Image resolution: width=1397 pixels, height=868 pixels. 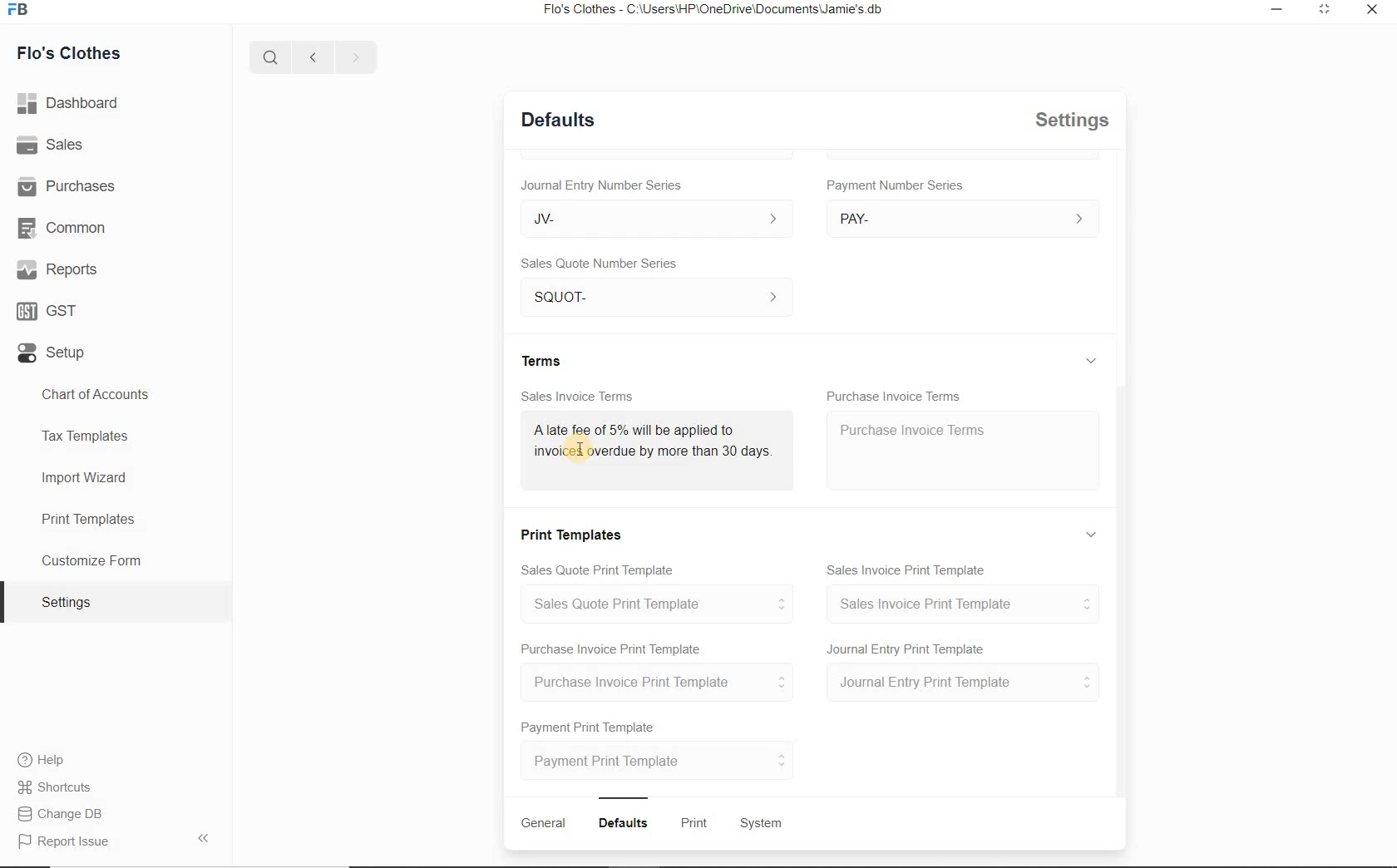 What do you see at coordinates (47, 762) in the screenshot?
I see `Help` at bounding box center [47, 762].